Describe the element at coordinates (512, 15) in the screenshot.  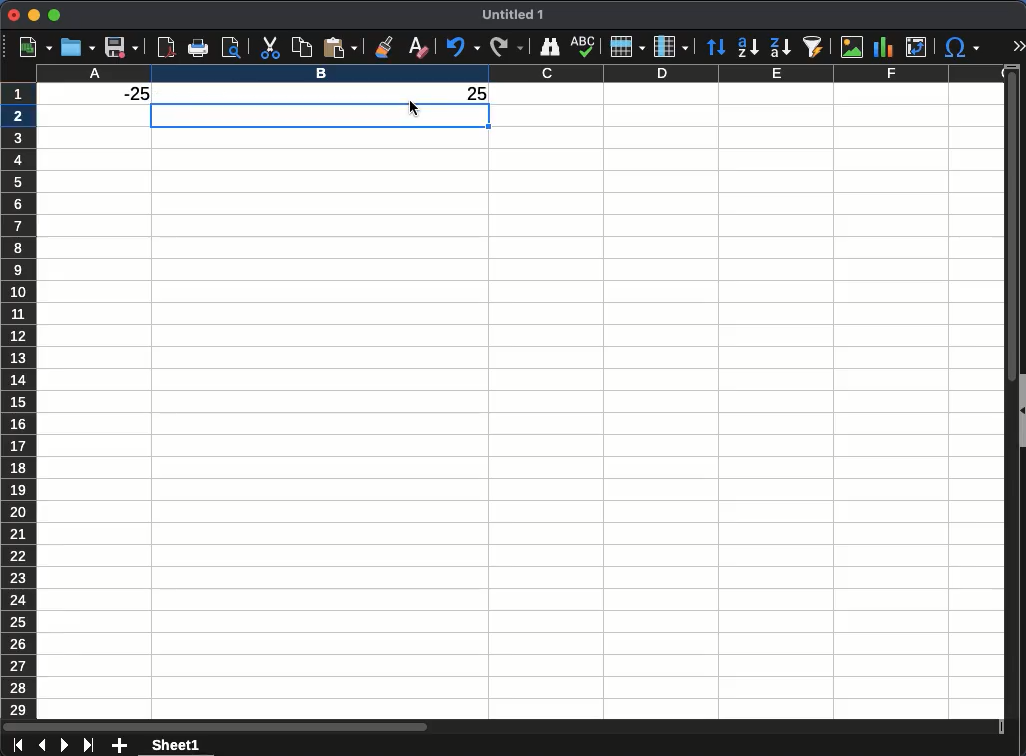
I see `untitled 1` at that location.